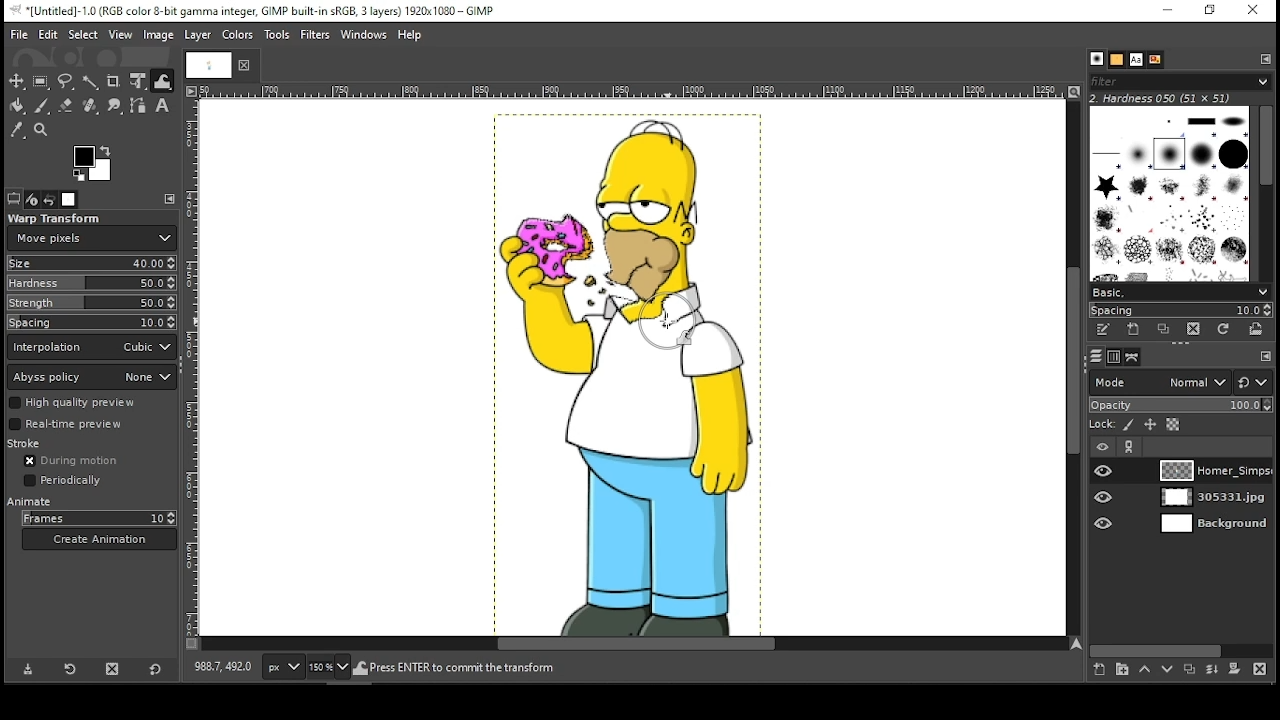 The image size is (1280, 720). What do you see at coordinates (246, 65) in the screenshot?
I see `close` at bounding box center [246, 65].